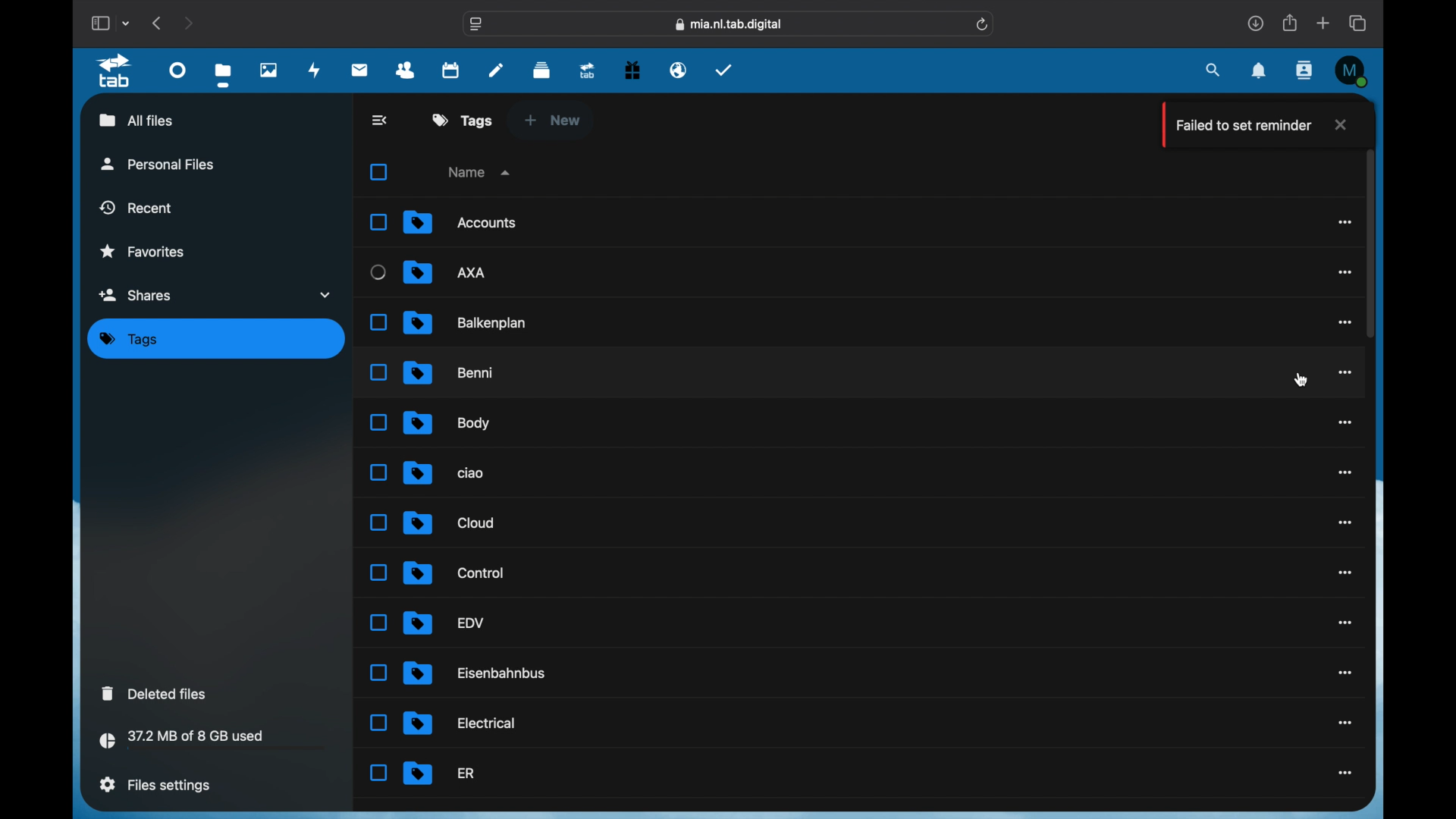 This screenshot has width=1456, height=819. I want to click on Unselected Checkbox, so click(377, 672).